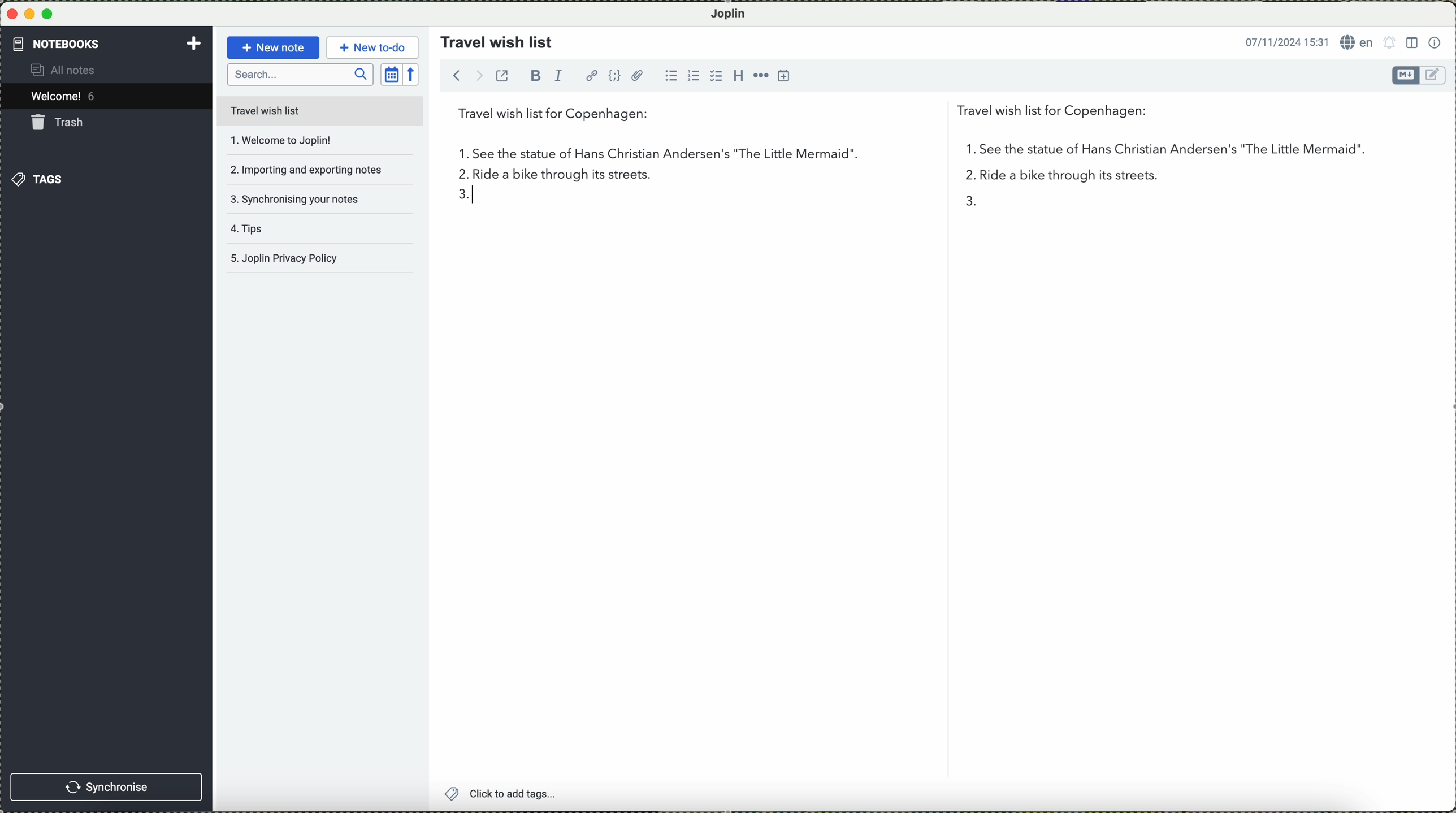 The image size is (1456, 813). I want to click on bold, so click(536, 75).